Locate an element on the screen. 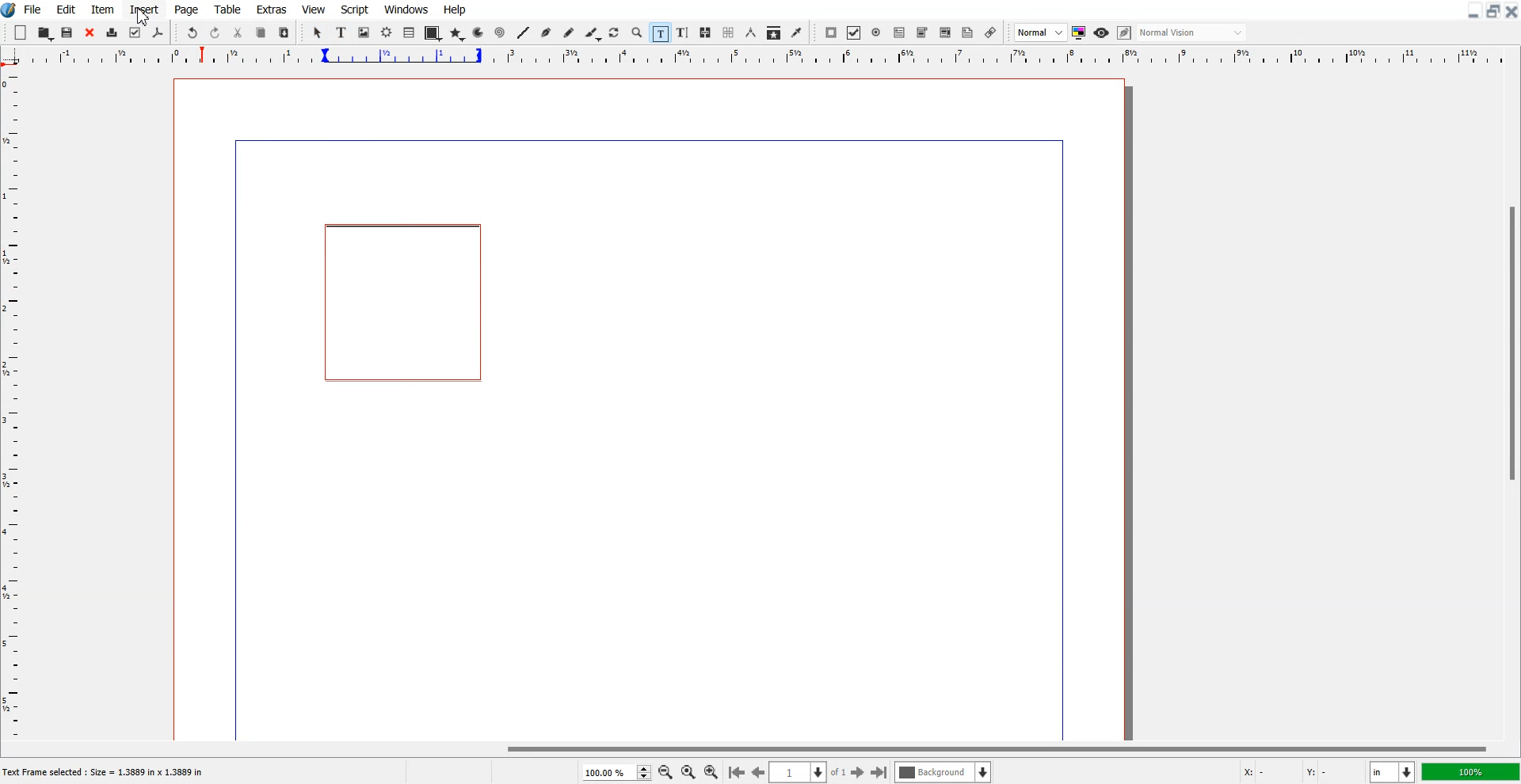 This screenshot has height=784, width=1521. Cursor is located at coordinates (143, 17).